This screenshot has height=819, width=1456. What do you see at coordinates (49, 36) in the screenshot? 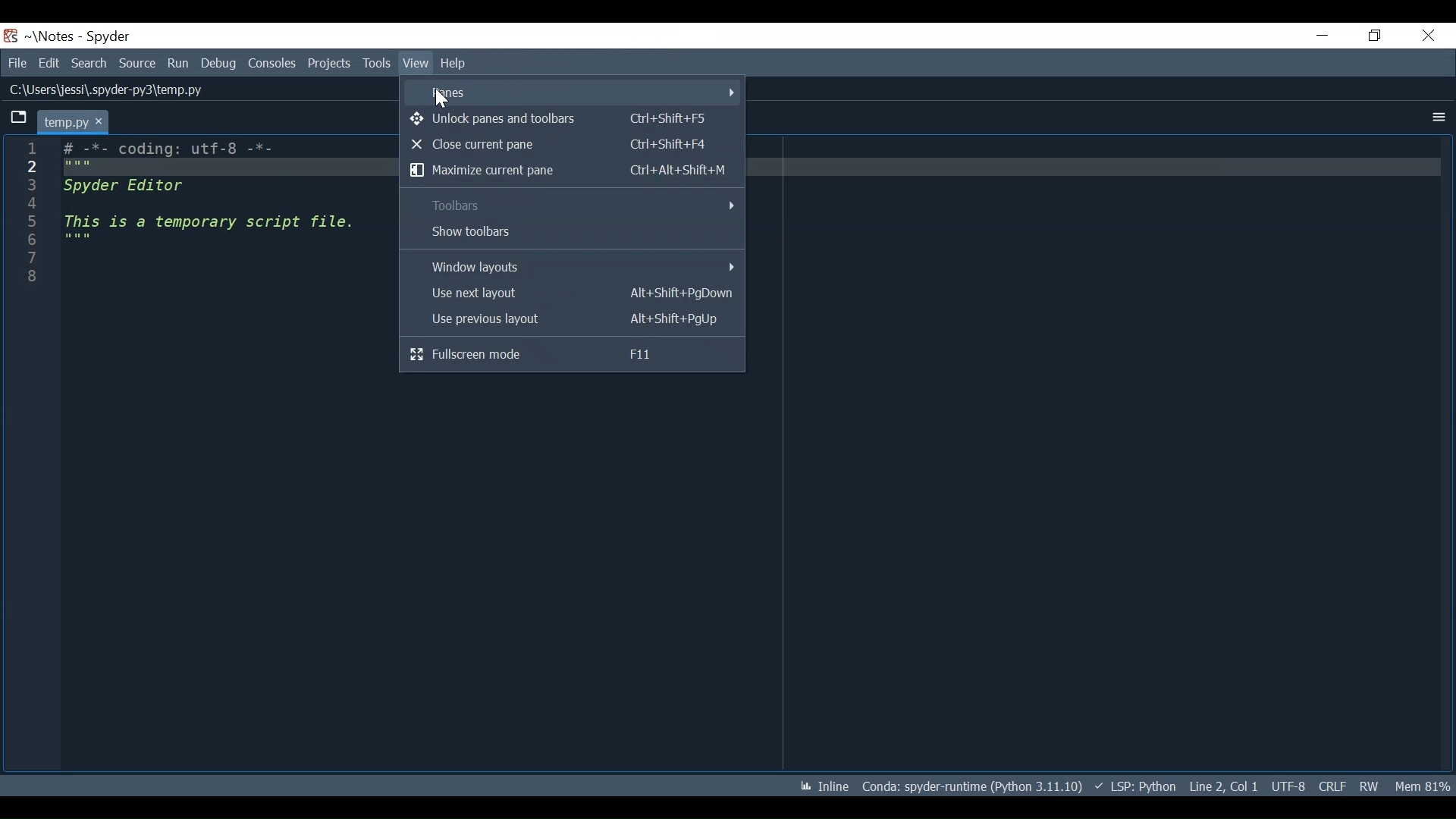
I see `Projects Name` at bounding box center [49, 36].